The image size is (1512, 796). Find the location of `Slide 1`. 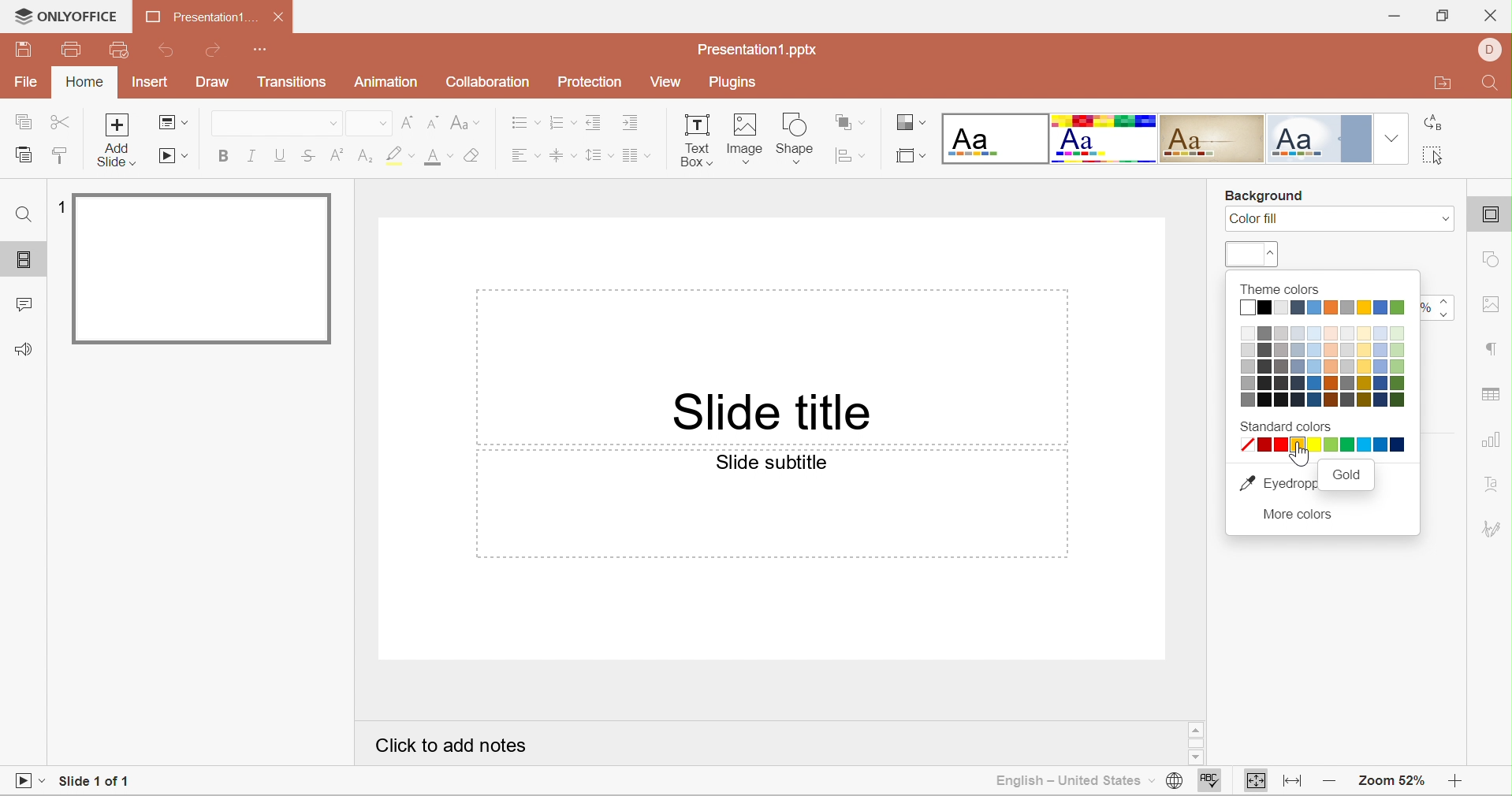

Slide 1 is located at coordinates (207, 270).